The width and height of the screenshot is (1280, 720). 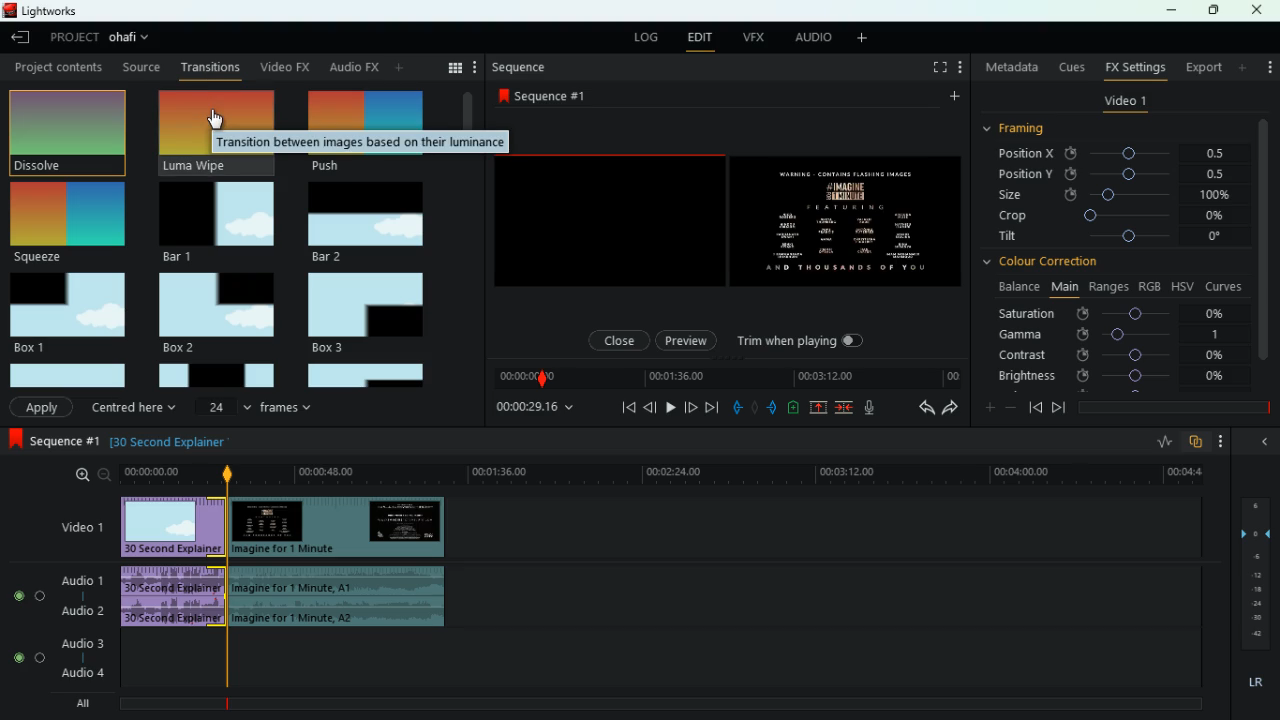 I want to click on up, so click(x=819, y=409).